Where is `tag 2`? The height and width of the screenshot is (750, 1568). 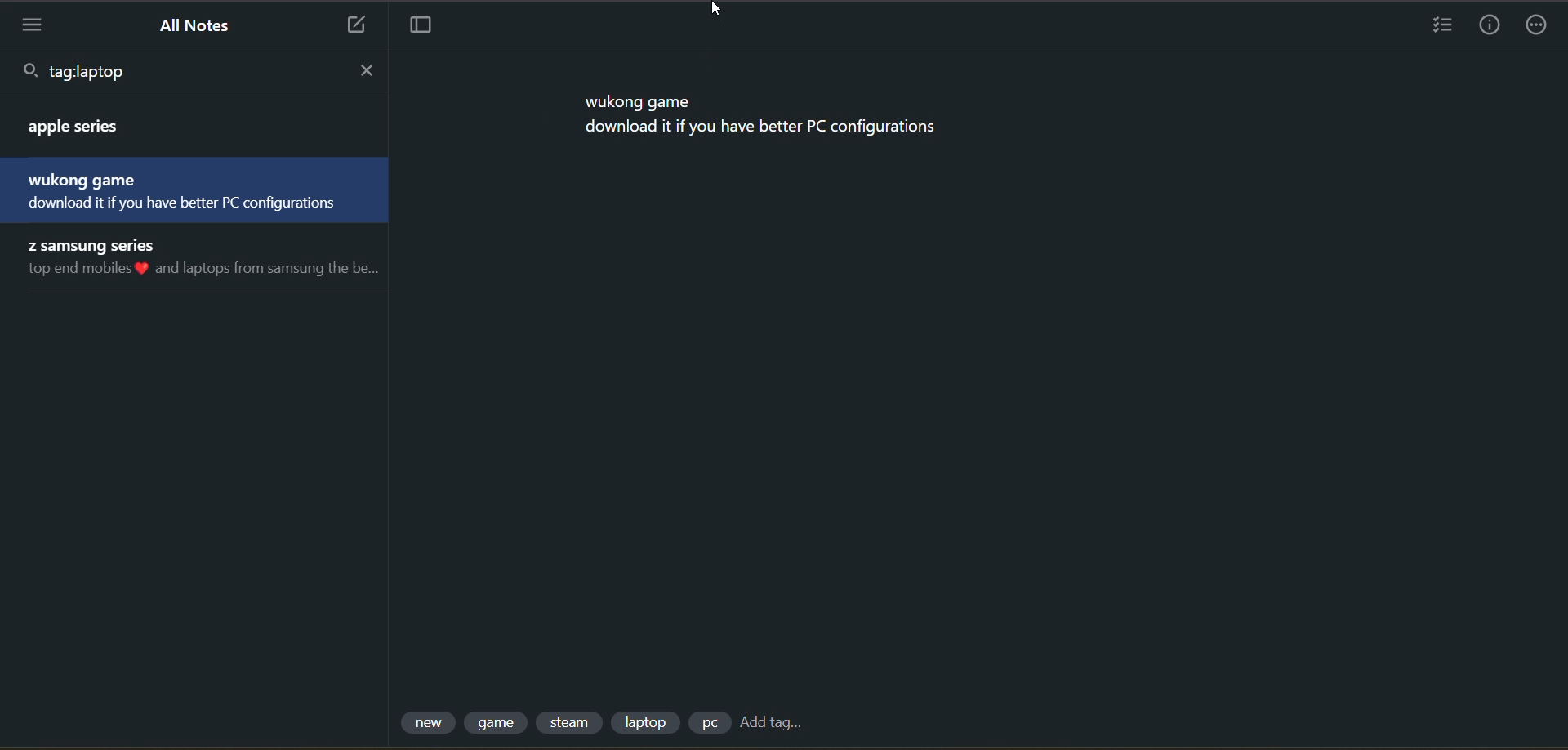 tag 2 is located at coordinates (500, 721).